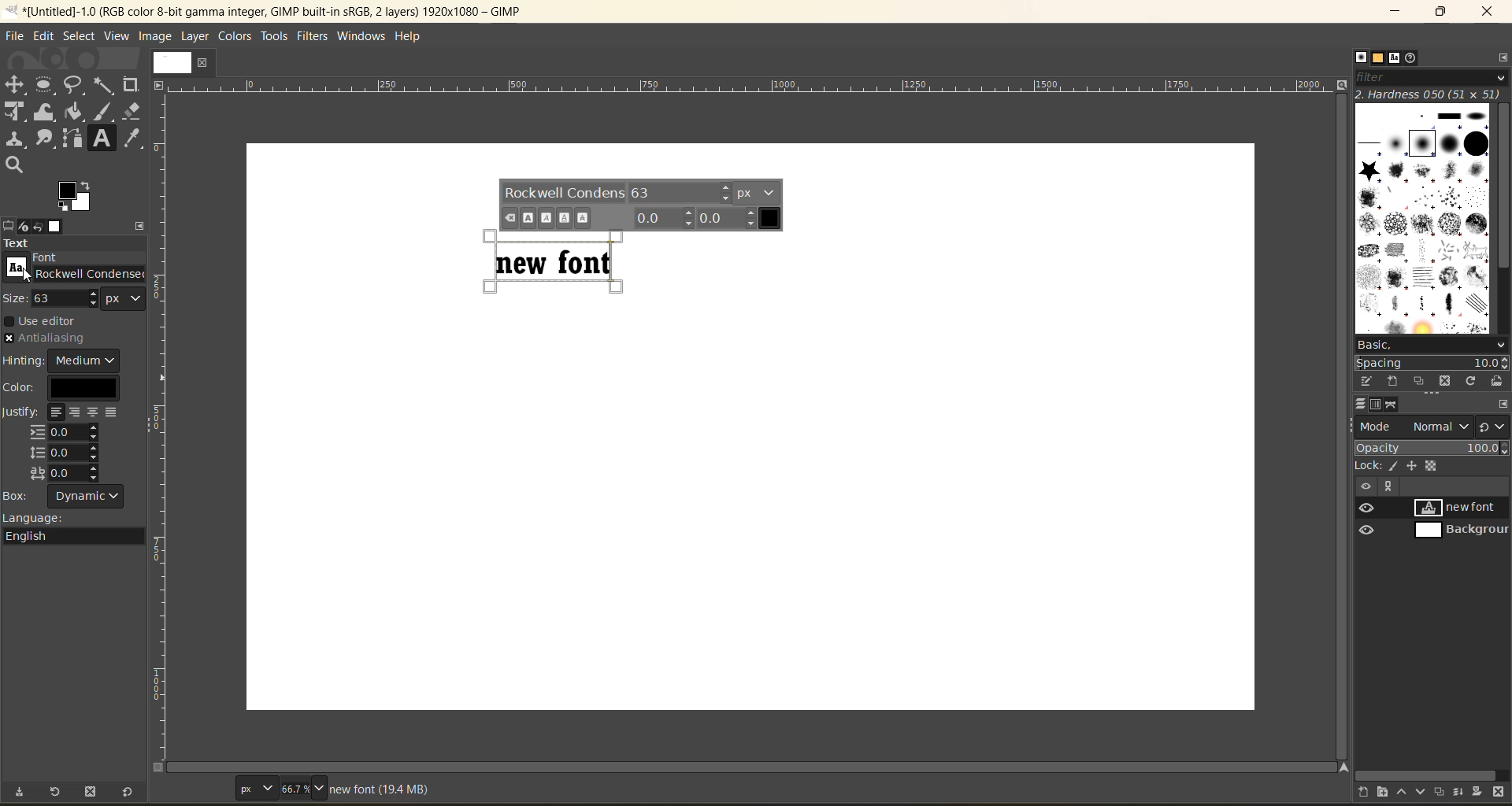 This screenshot has width=1512, height=806. Describe the element at coordinates (17, 35) in the screenshot. I see `file` at that location.